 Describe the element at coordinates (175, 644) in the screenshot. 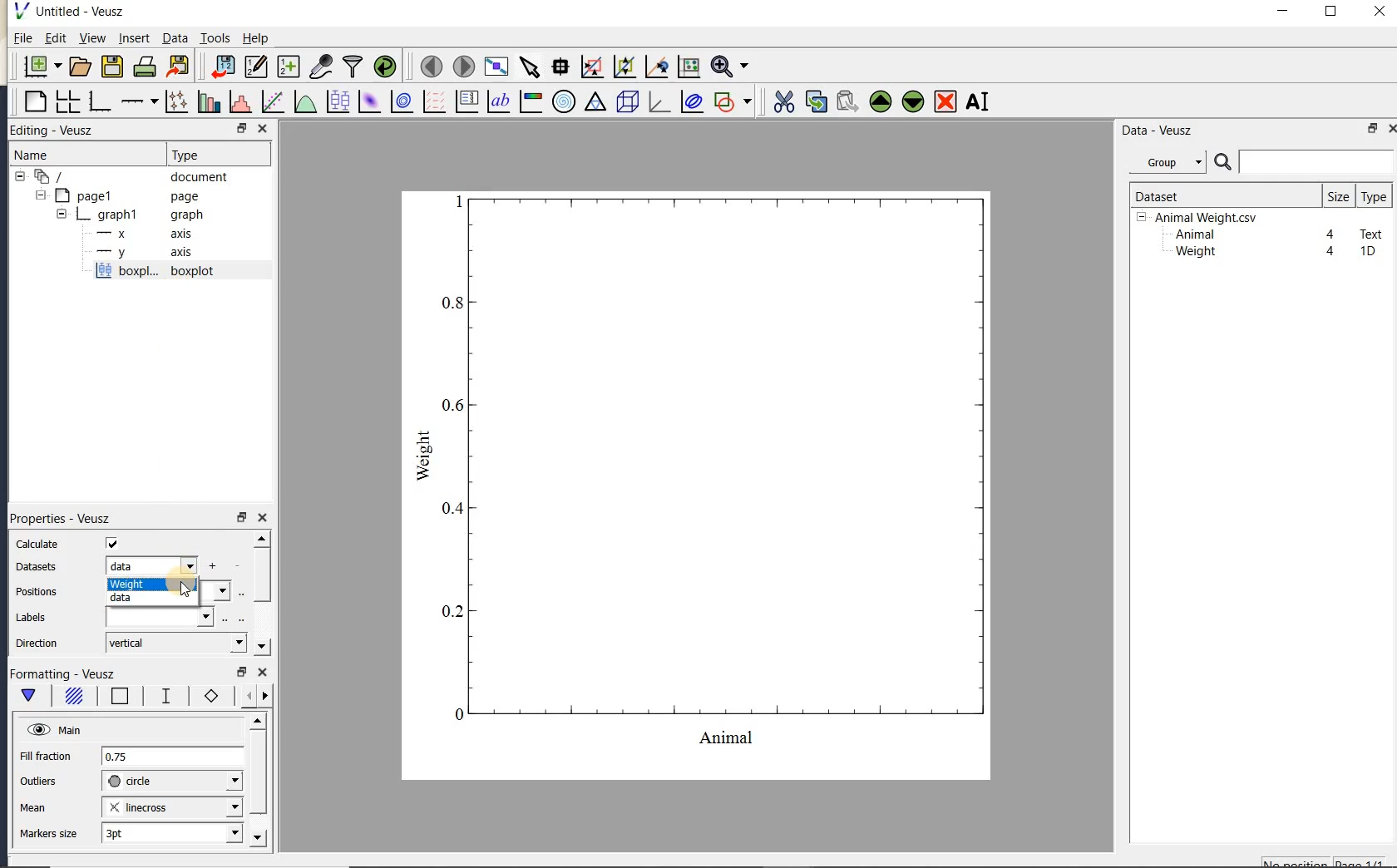

I see `vertical` at that location.